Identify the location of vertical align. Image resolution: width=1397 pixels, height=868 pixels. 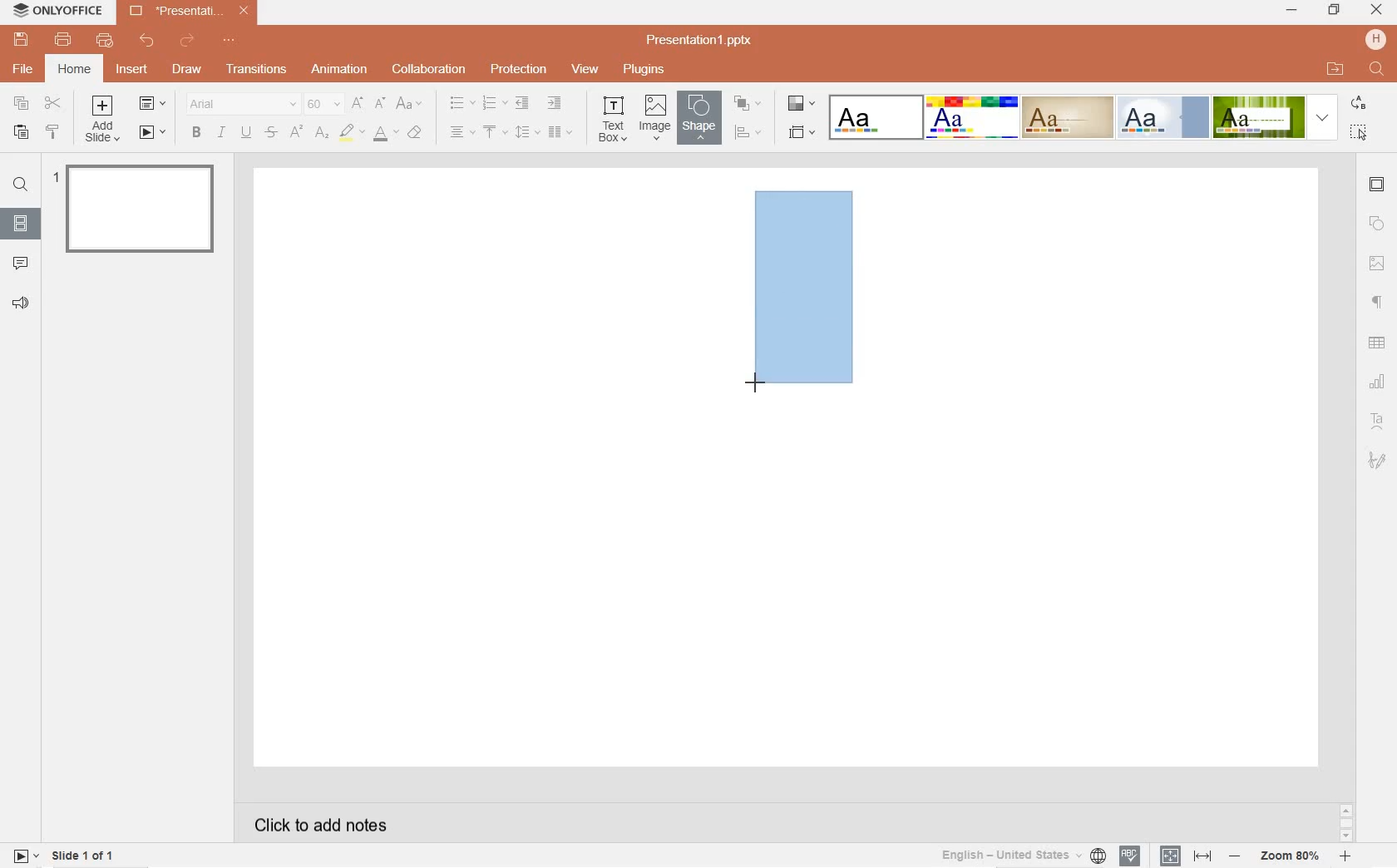
(496, 133).